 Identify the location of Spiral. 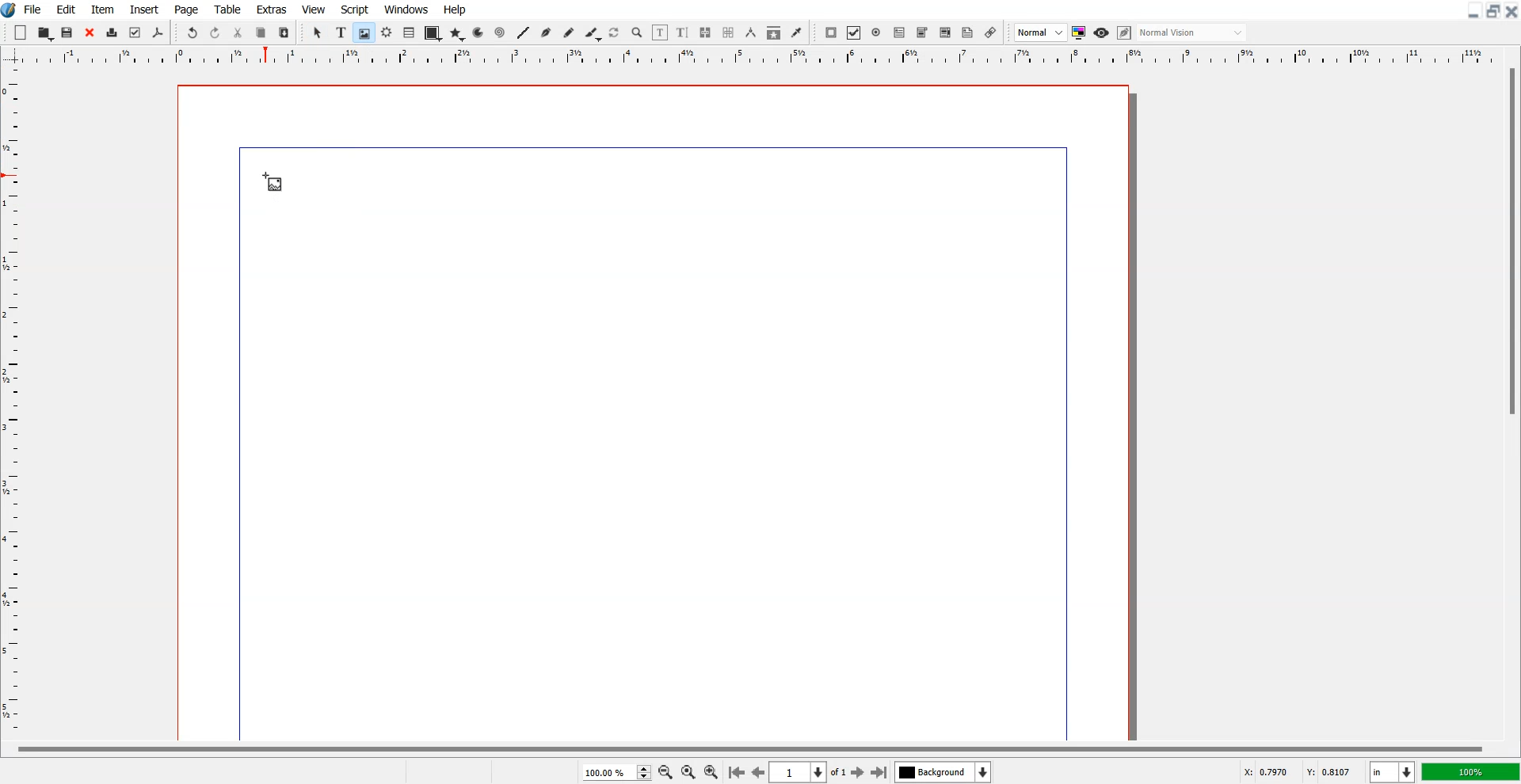
(499, 32).